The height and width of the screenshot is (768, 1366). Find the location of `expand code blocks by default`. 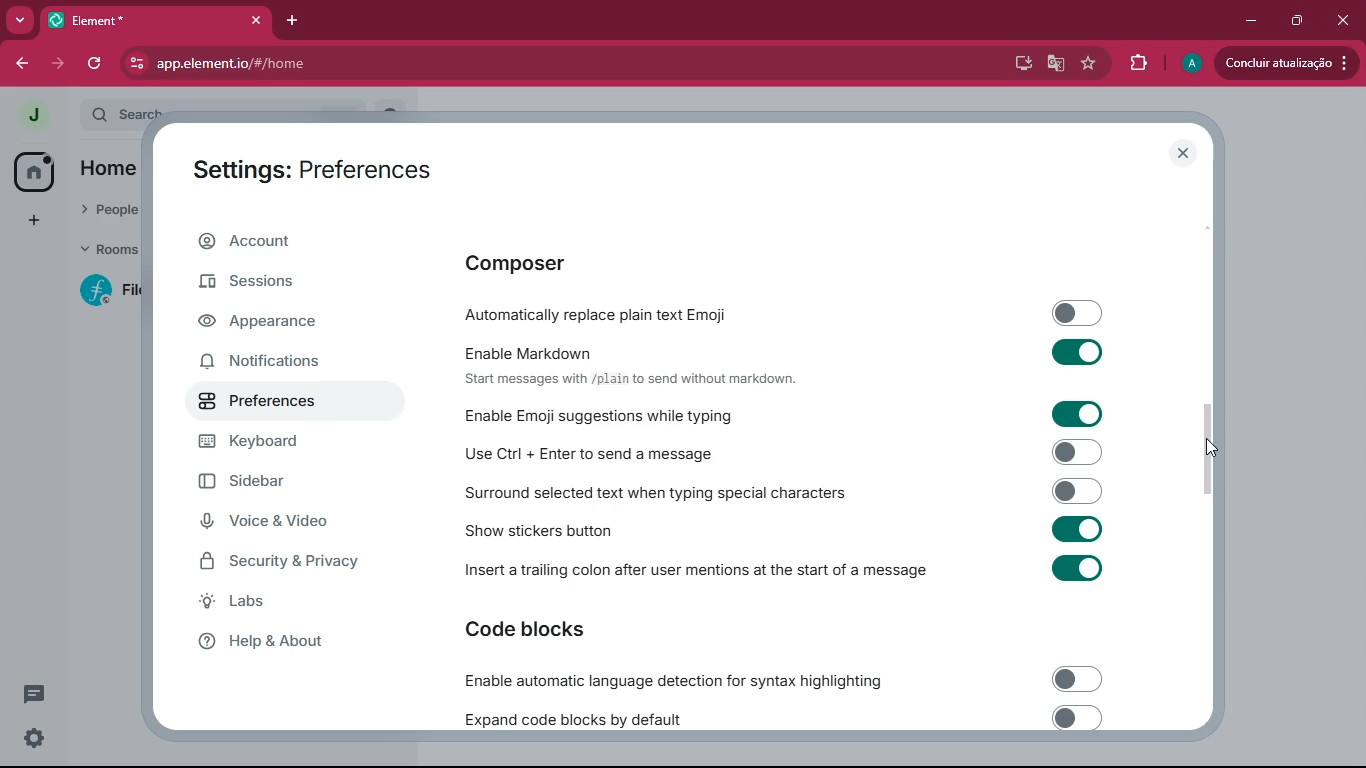

expand code blocks by default is located at coordinates (776, 718).